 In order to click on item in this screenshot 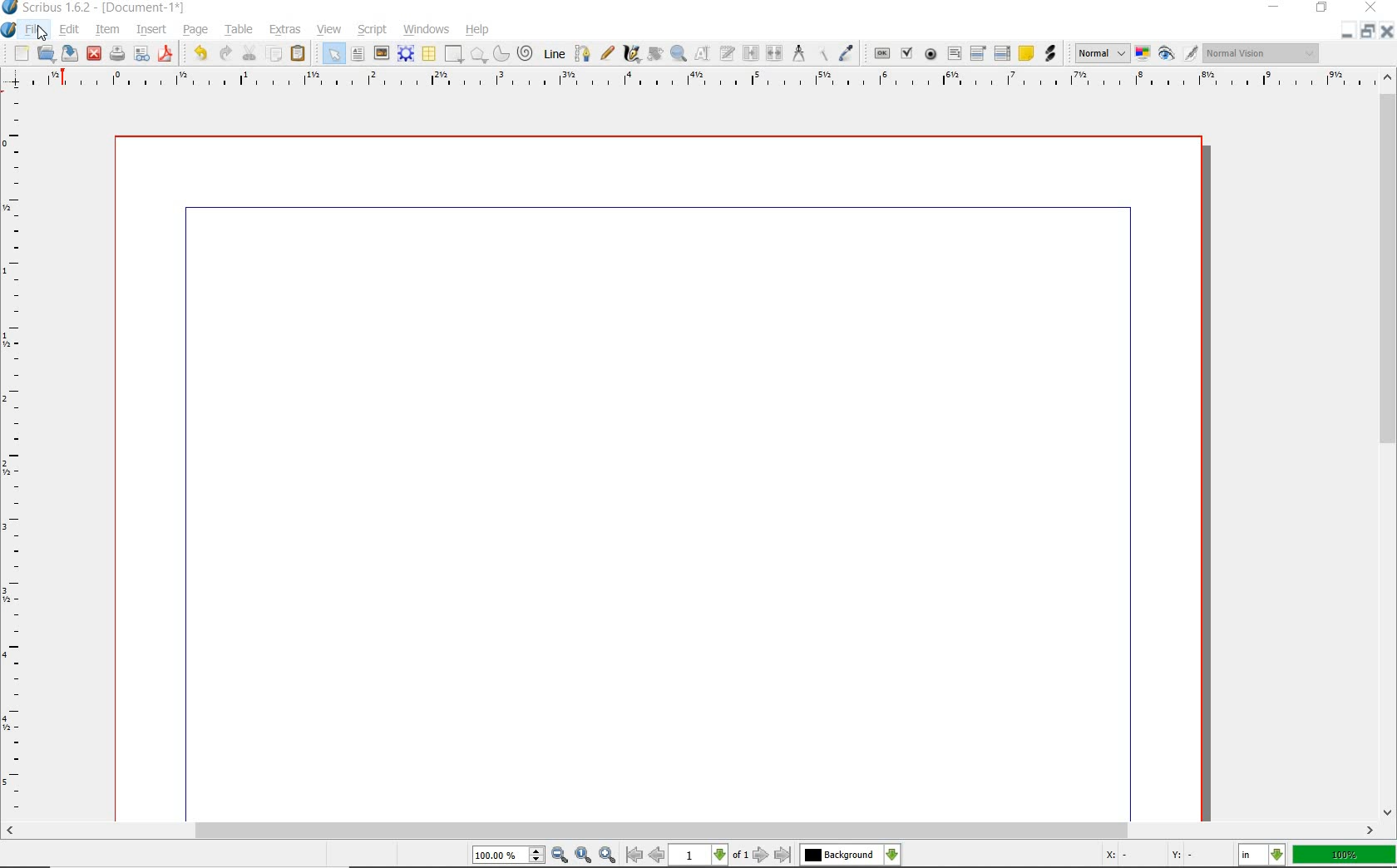, I will do `click(108, 29)`.